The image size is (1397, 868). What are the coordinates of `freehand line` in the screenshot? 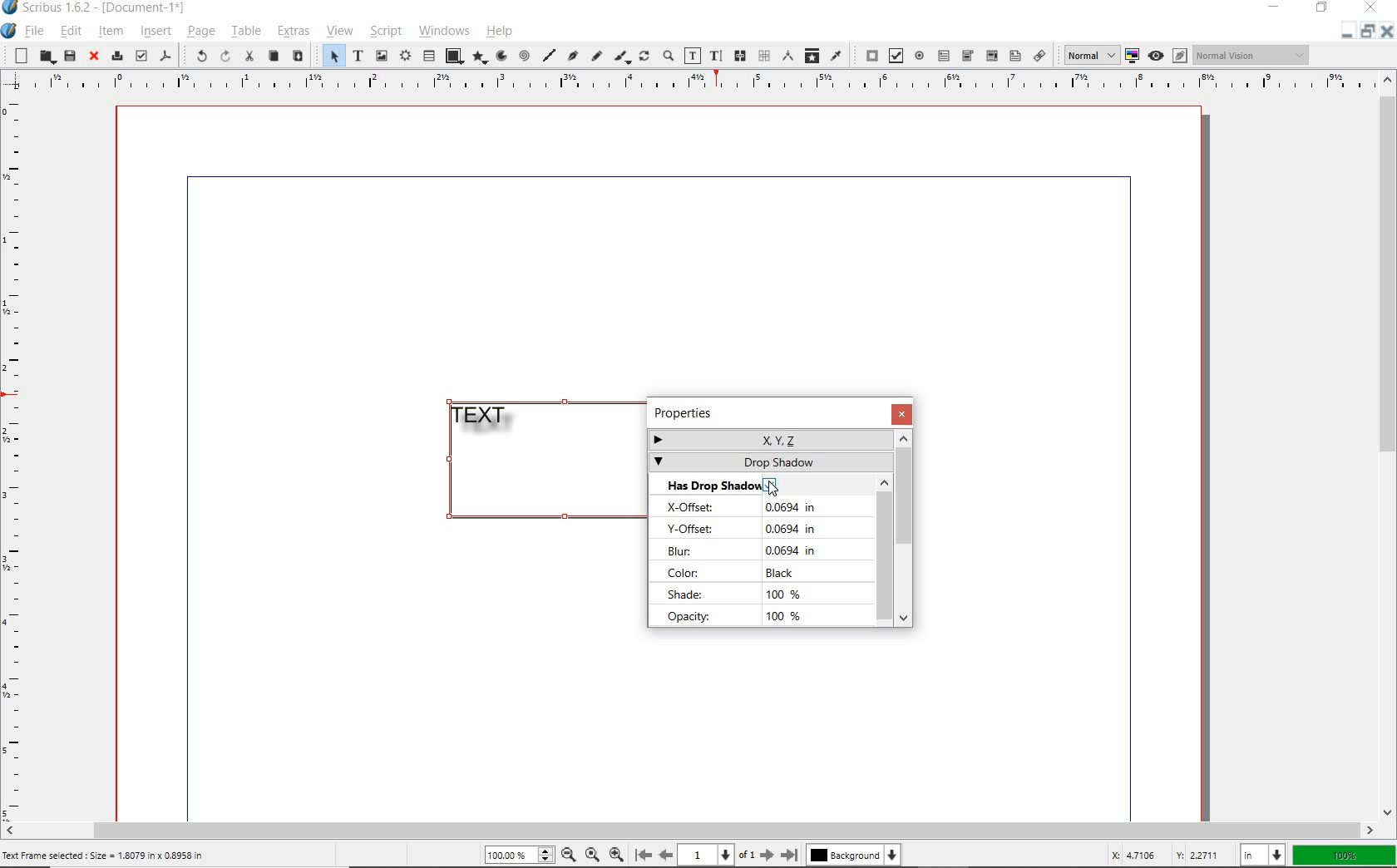 It's located at (597, 57).